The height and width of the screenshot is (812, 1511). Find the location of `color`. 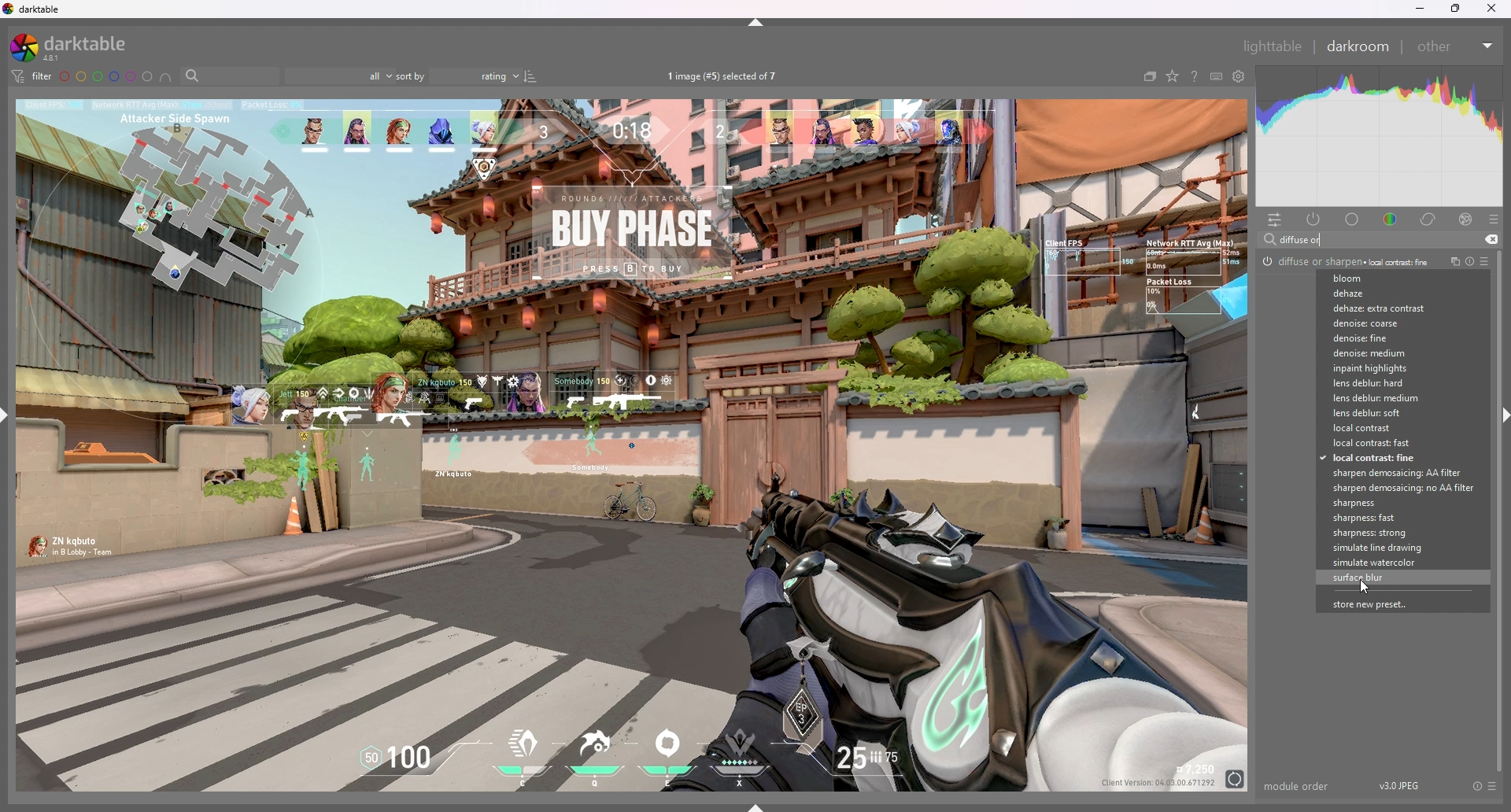

color is located at coordinates (1391, 218).